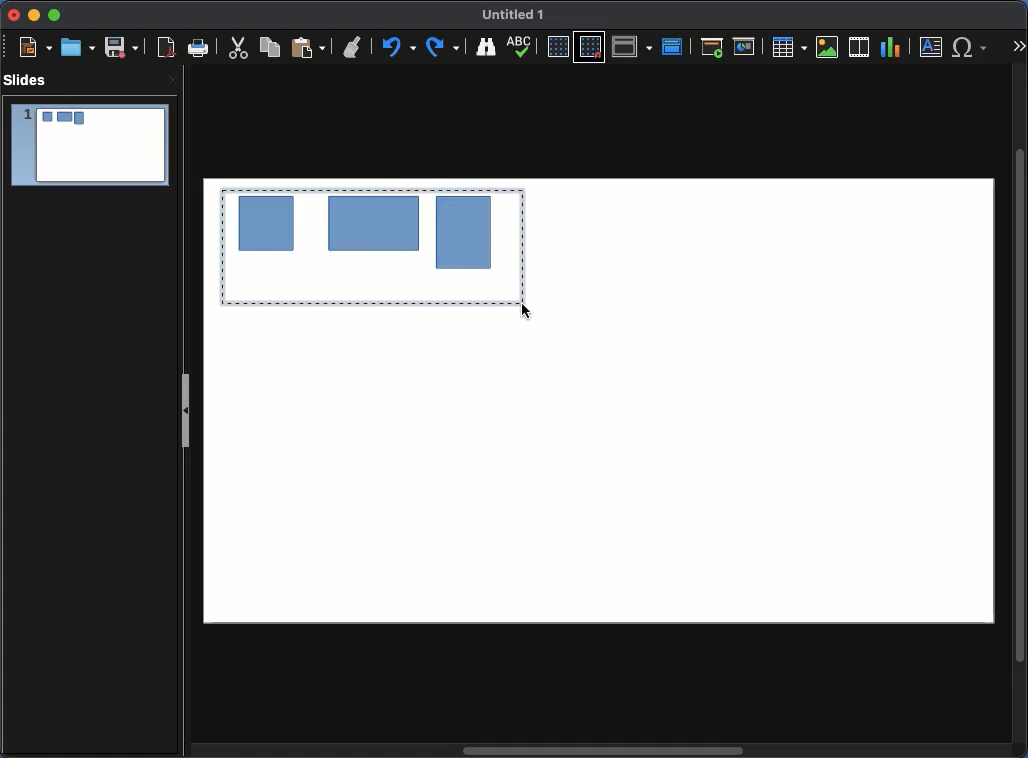 The image size is (1028, 758). I want to click on Print, so click(200, 49).